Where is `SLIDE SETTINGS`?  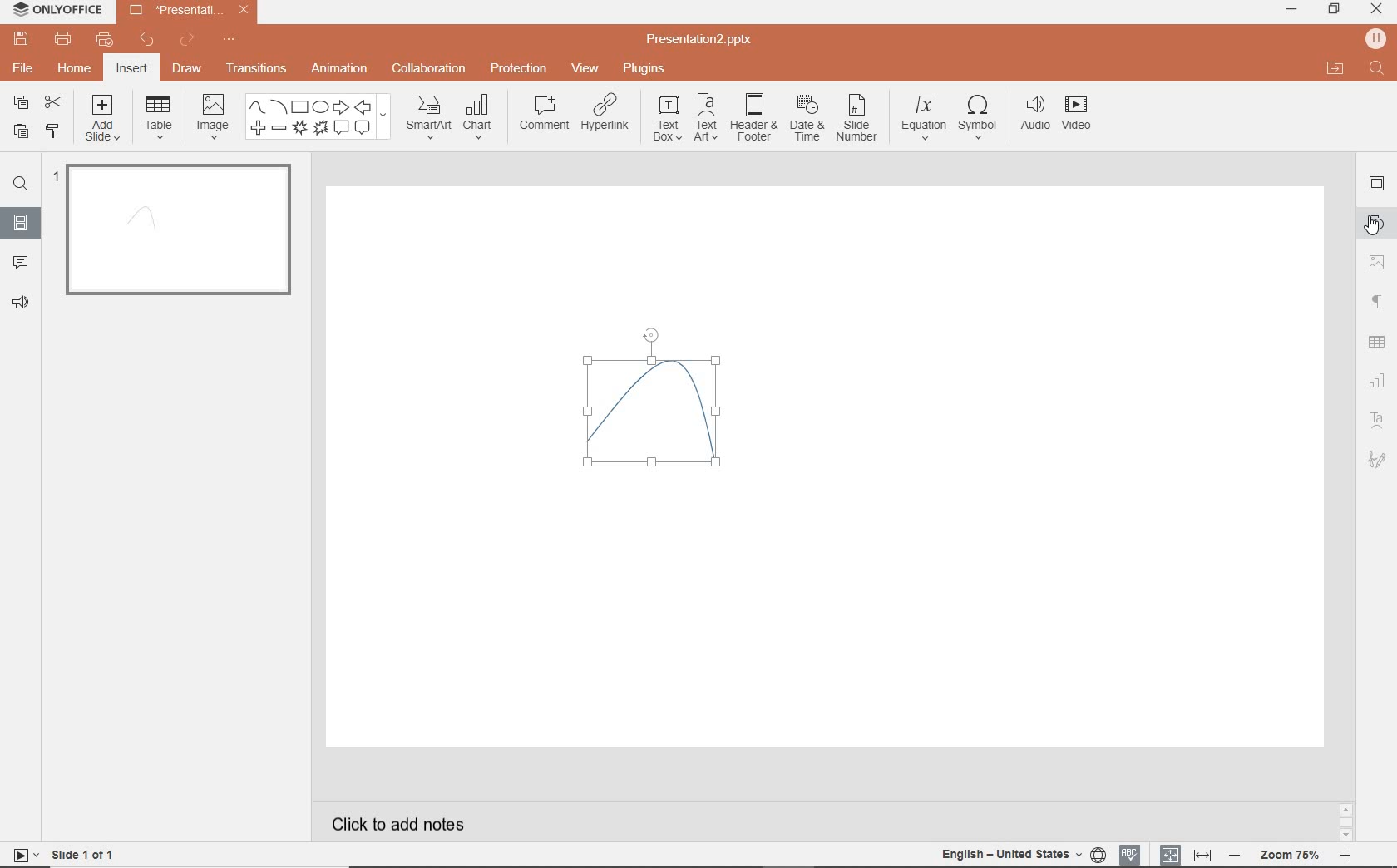
SLIDE SETTINGS is located at coordinates (1378, 185).